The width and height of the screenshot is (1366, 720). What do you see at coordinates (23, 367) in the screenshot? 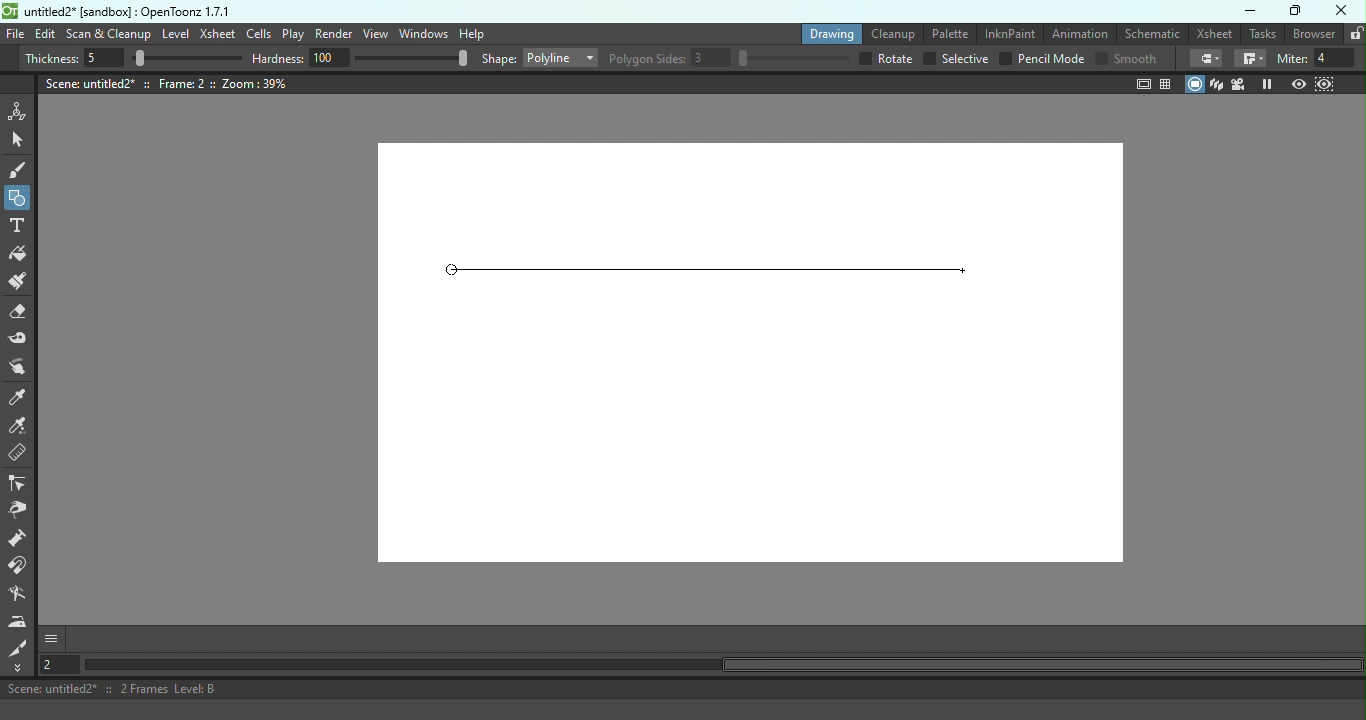
I see `Pinch tool` at bounding box center [23, 367].